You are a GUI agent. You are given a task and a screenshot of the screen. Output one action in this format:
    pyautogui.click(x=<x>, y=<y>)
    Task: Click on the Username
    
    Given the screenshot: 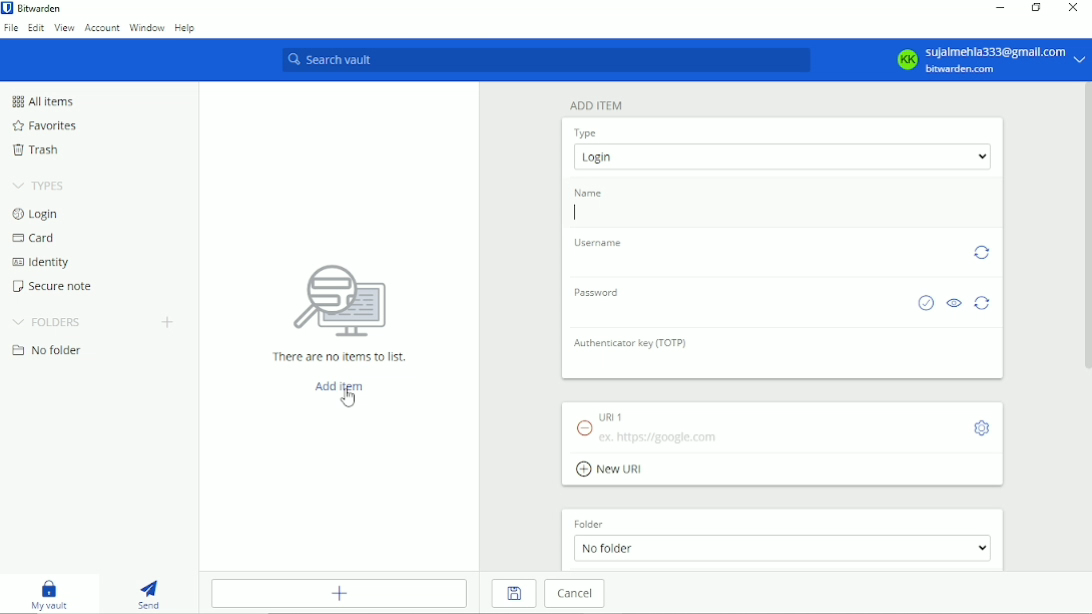 What is the action you would take?
    pyautogui.click(x=594, y=242)
    